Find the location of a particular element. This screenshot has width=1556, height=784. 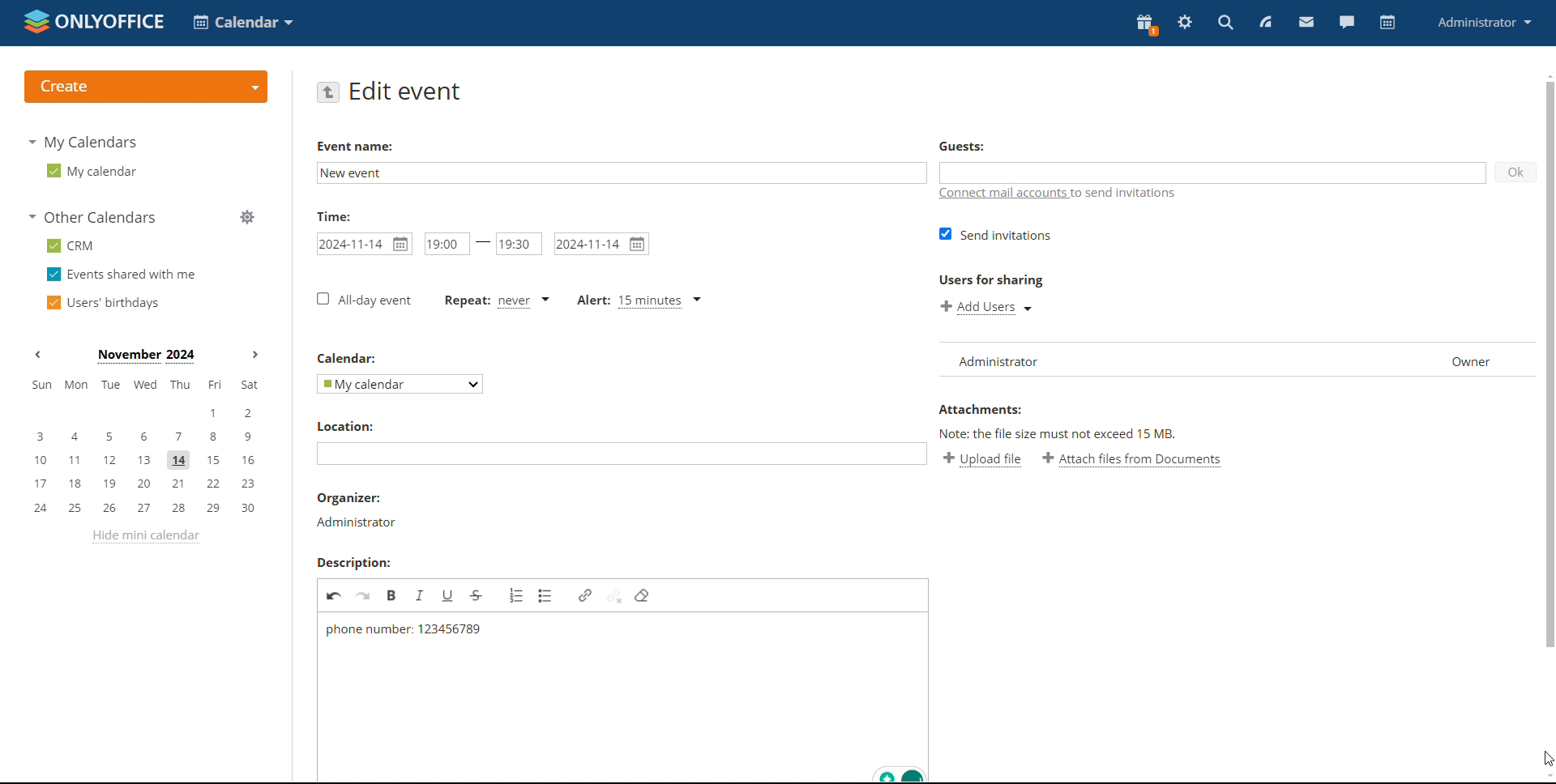

insert/remove numbered list is located at coordinates (516, 594).